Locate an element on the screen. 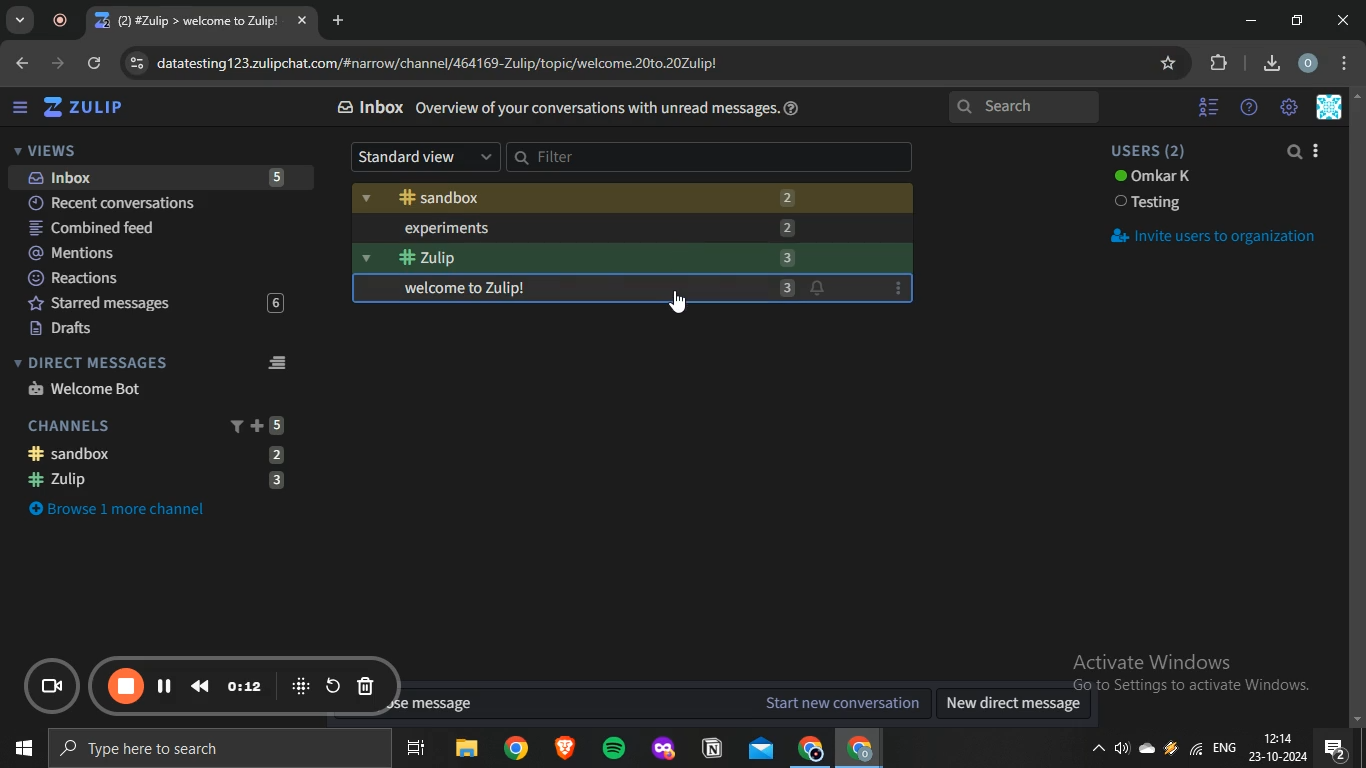 The image size is (1366, 768). account is located at coordinates (1309, 64).